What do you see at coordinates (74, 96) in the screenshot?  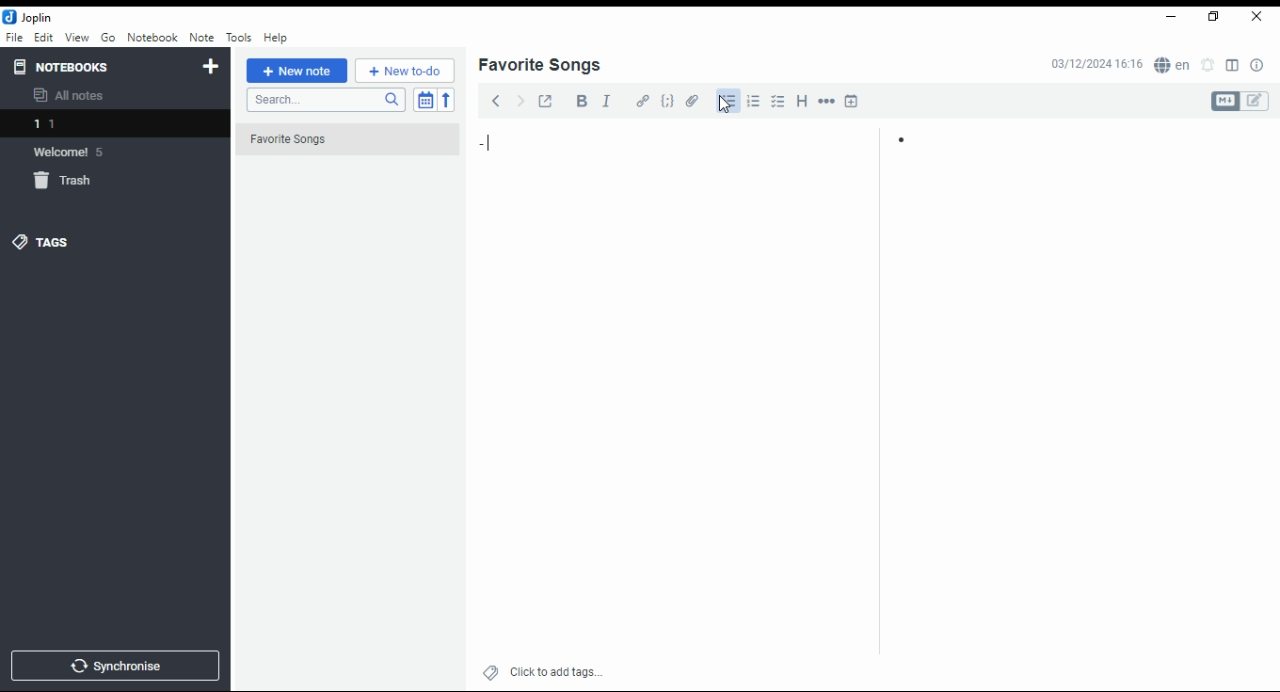 I see `all notes` at bounding box center [74, 96].